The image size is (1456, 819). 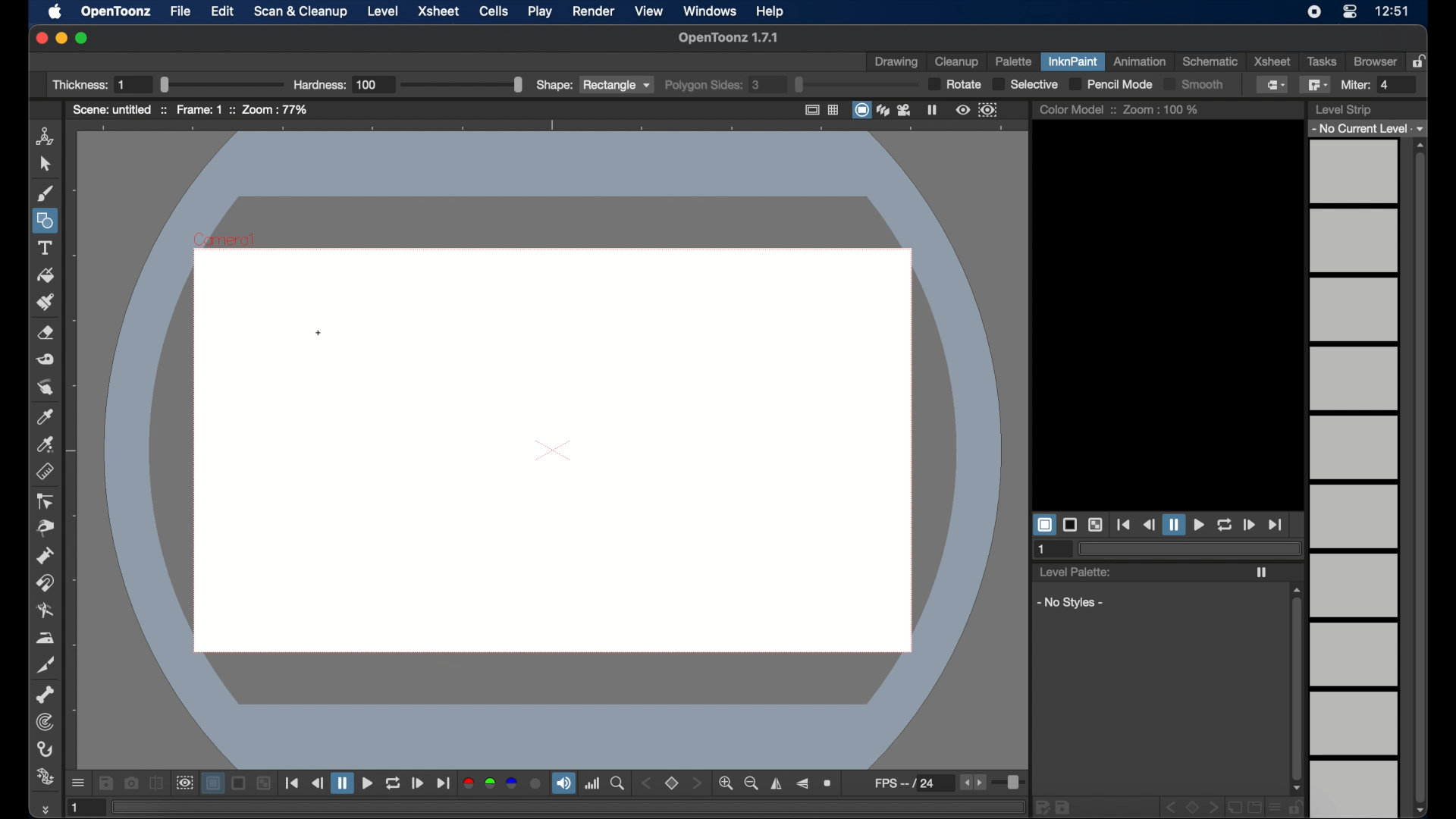 I want to click on iron tool, so click(x=45, y=639).